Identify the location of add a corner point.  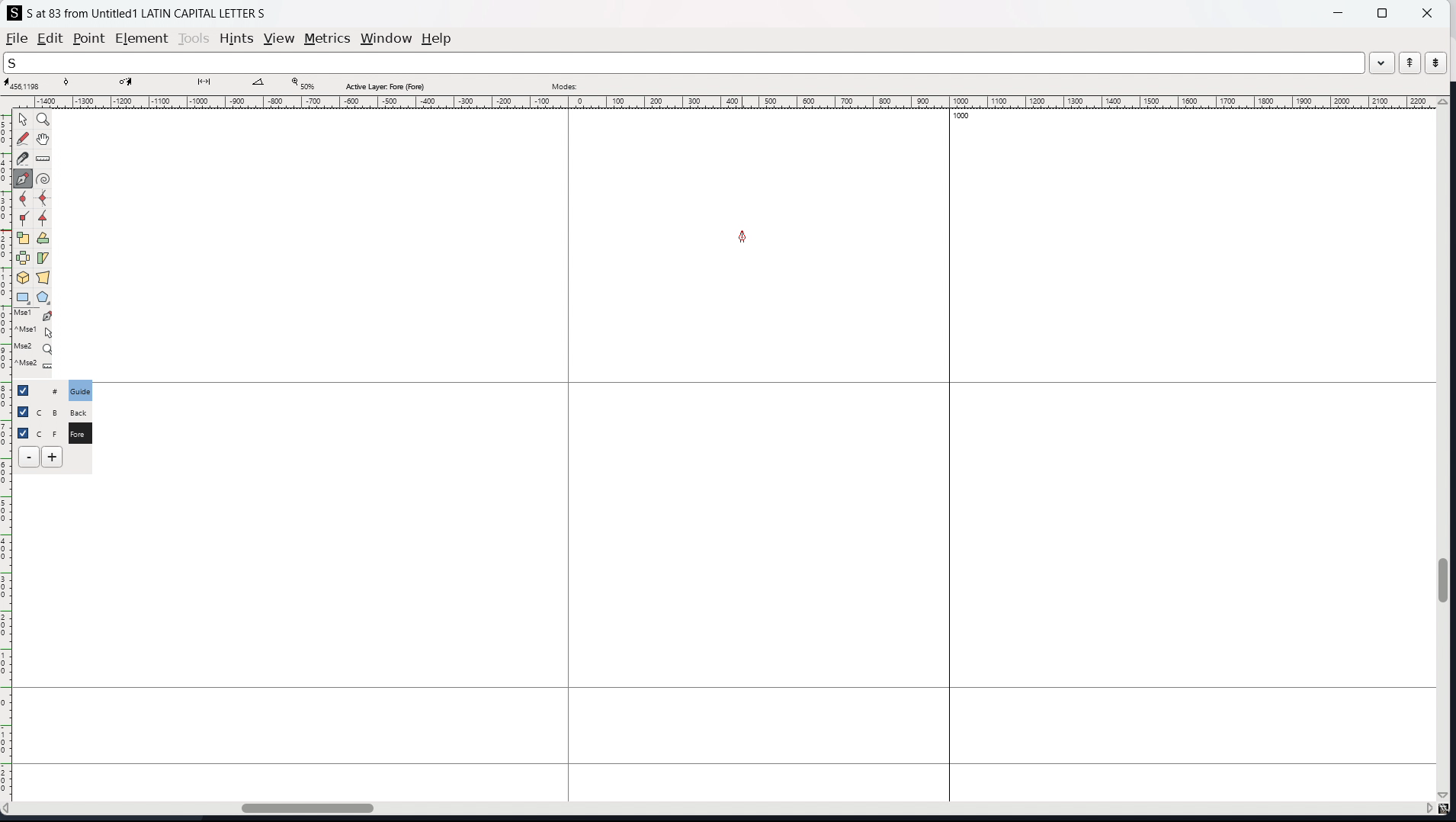
(24, 220).